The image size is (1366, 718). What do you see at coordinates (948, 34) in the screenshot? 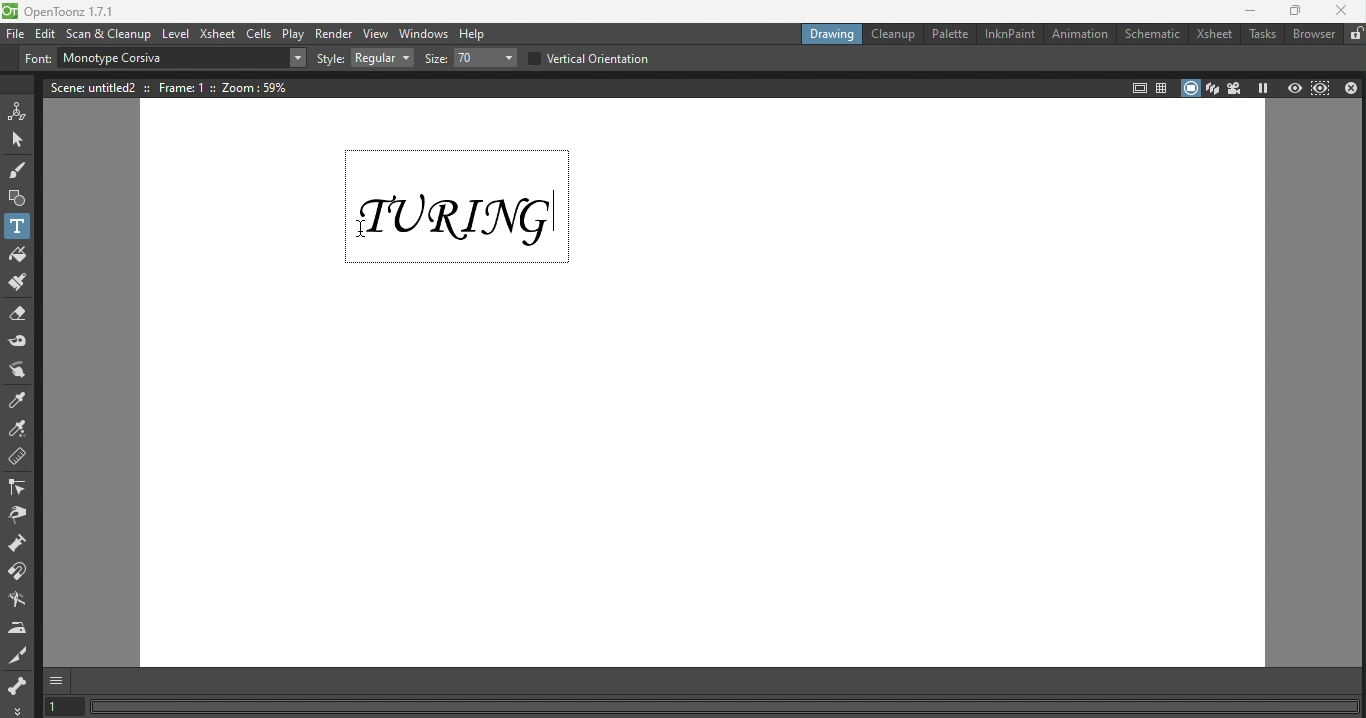
I see `Palette` at bounding box center [948, 34].